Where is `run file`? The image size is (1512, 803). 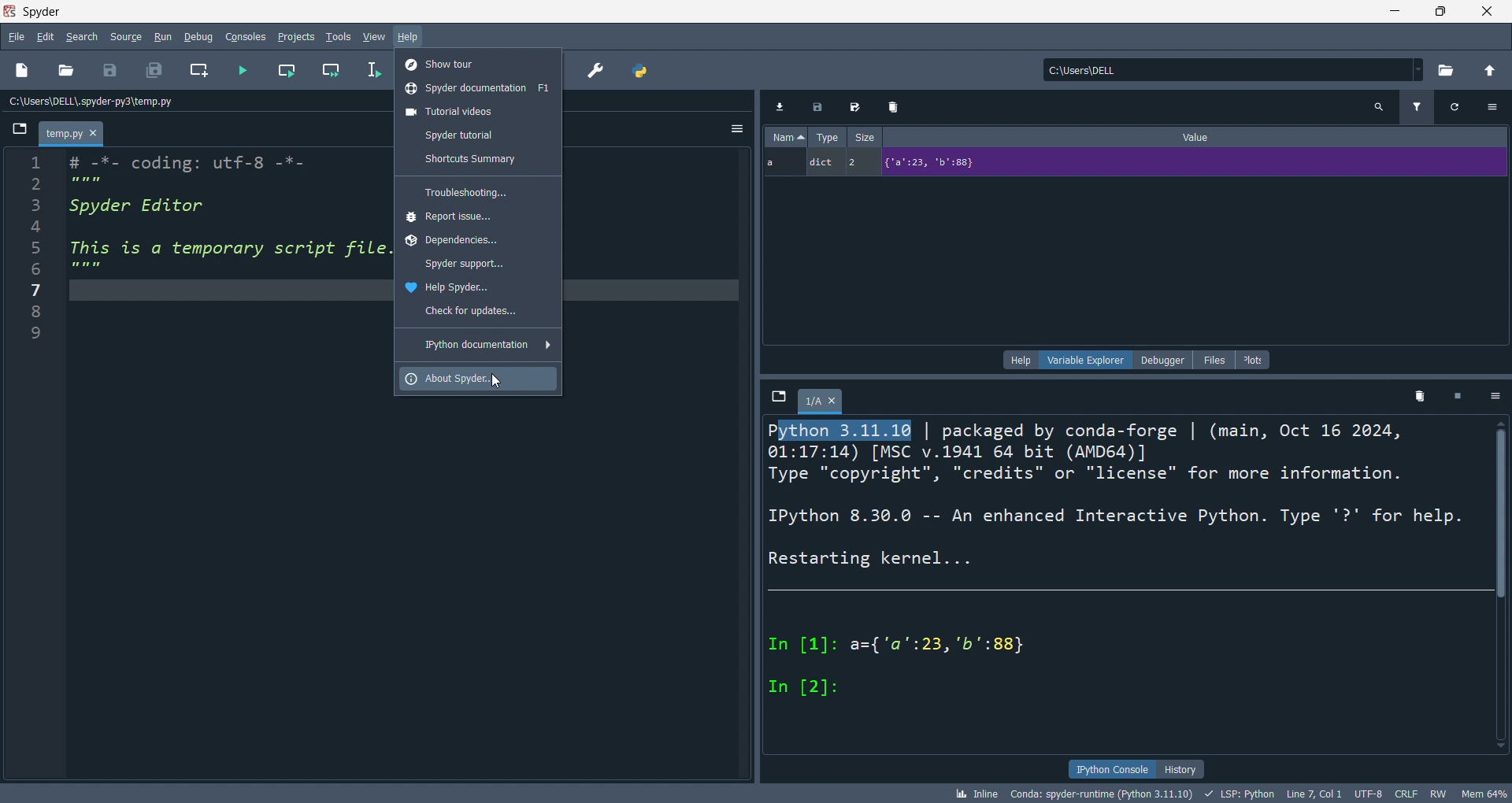
run file is located at coordinates (243, 71).